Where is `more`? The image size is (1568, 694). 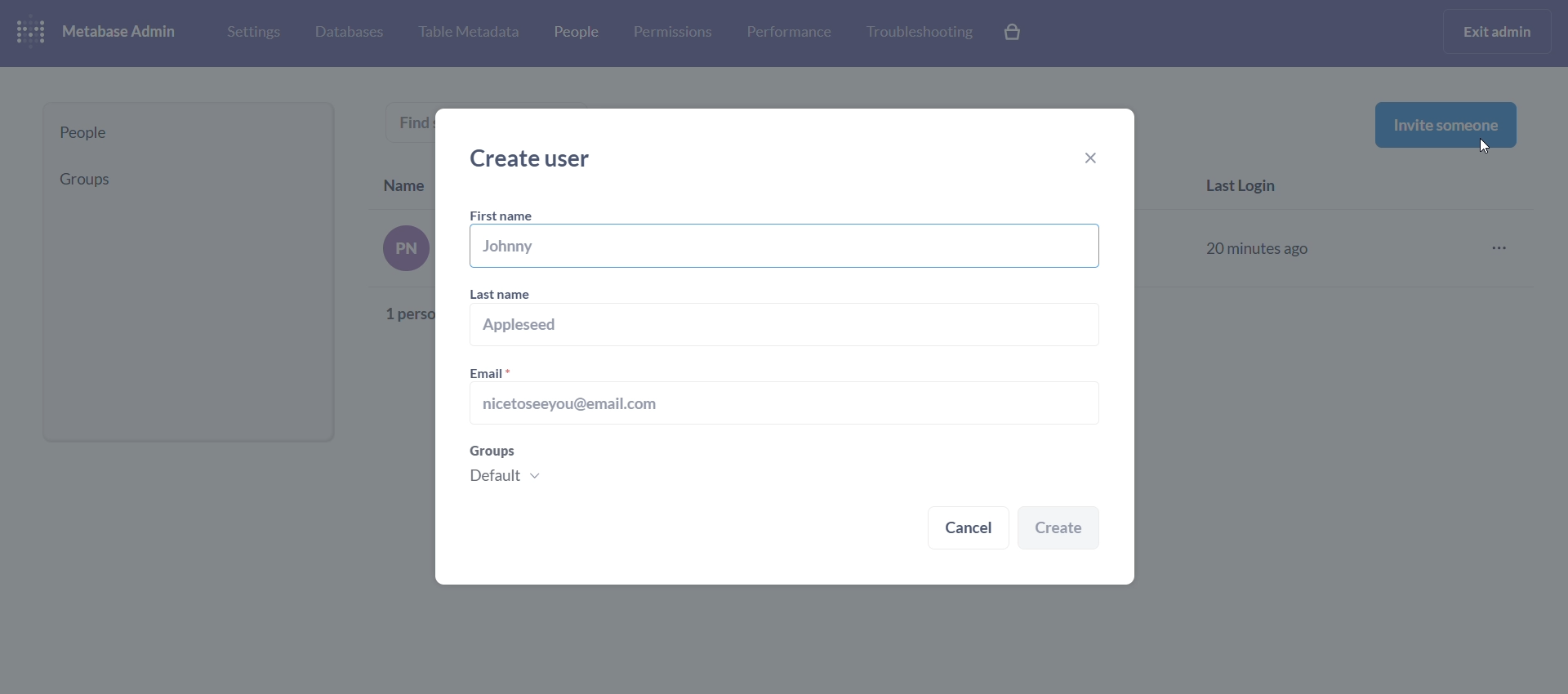
more is located at coordinates (1504, 249).